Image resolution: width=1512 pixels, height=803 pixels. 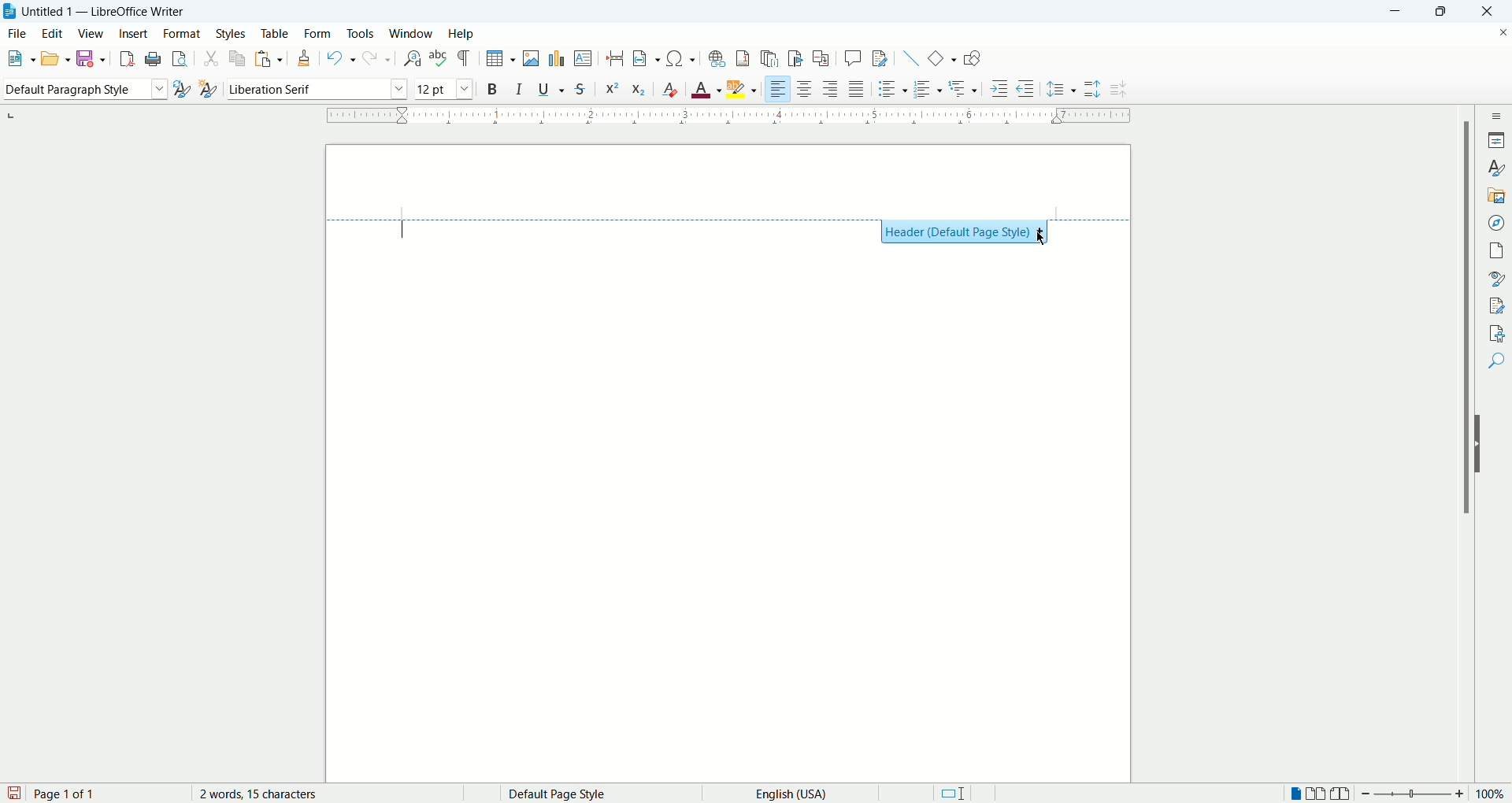 What do you see at coordinates (464, 58) in the screenshot?
I see `formatting marks` at bounding box center [464, 58].